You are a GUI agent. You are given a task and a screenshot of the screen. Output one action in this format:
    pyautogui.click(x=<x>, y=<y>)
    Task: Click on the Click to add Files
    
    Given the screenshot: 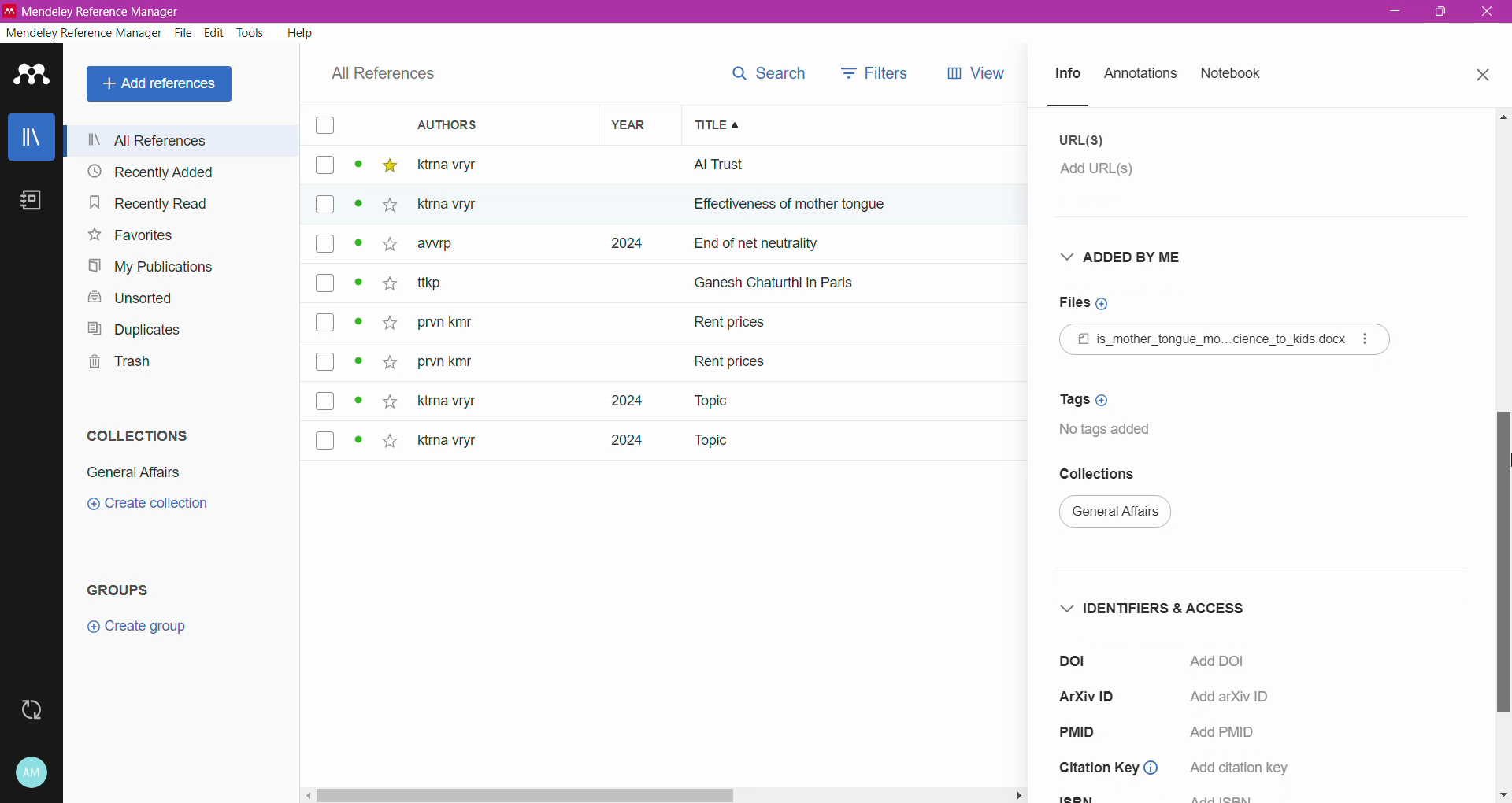 What is the action you would take?
    pyautogui.click(x=1092, y=303)
    